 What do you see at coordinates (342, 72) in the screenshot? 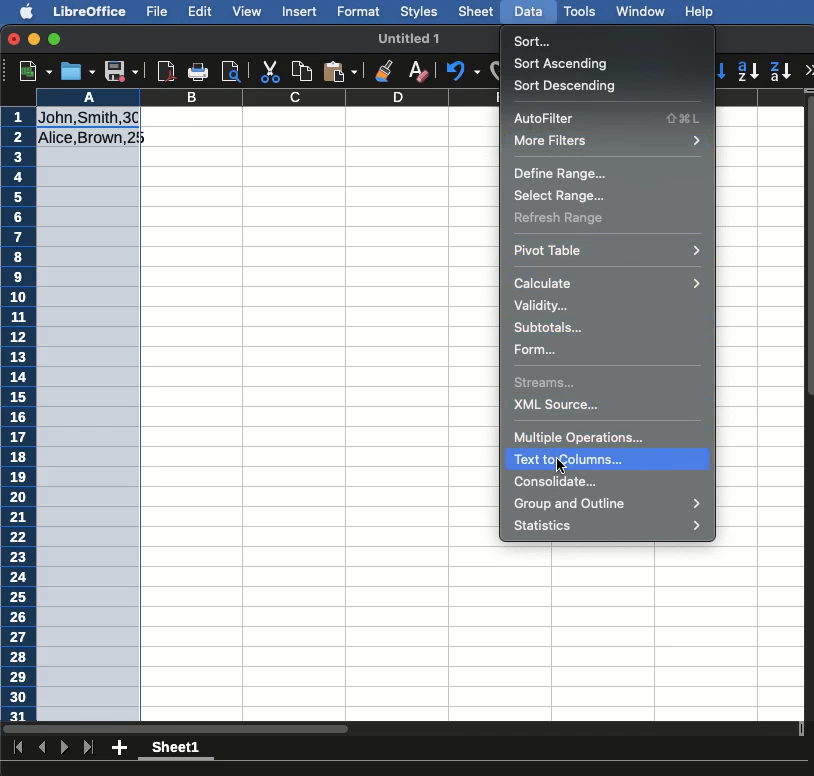
I see `Paste` at bounding box center [342, 72].